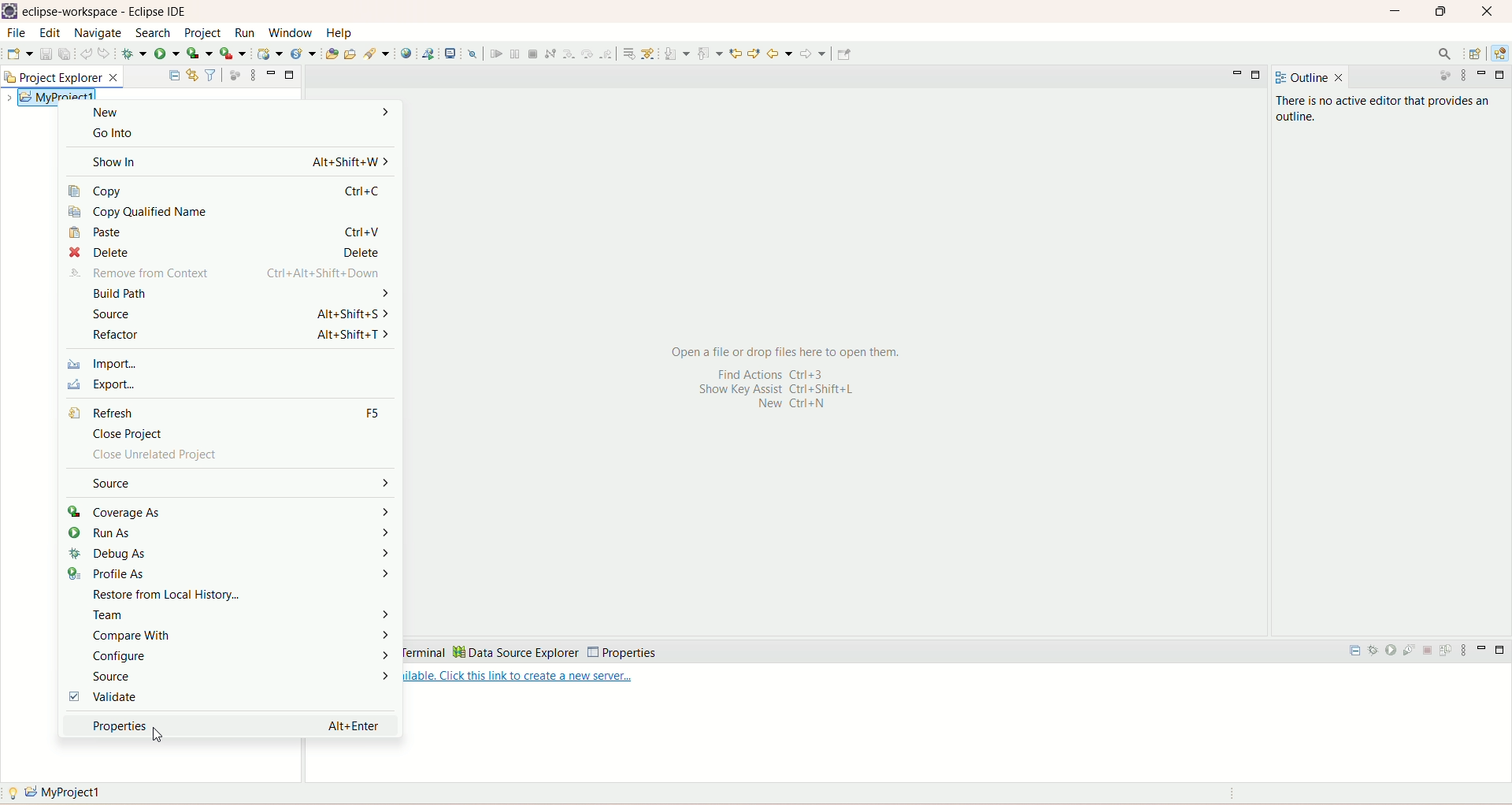 Image resolution: width=1512 pixels, height=805 pixels. I want to click on validate, so click(228, 697).